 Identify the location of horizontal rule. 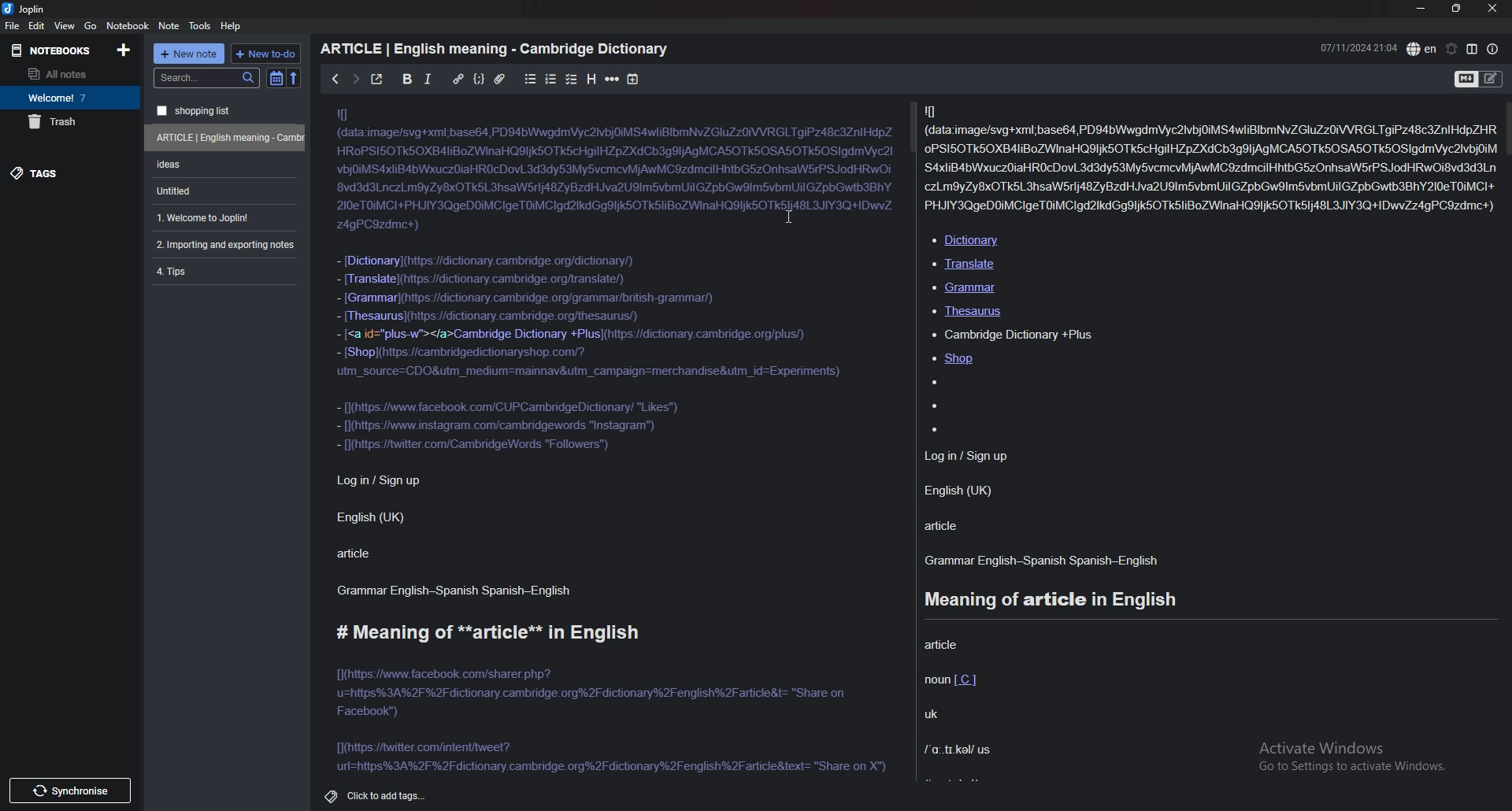
(611, 80).